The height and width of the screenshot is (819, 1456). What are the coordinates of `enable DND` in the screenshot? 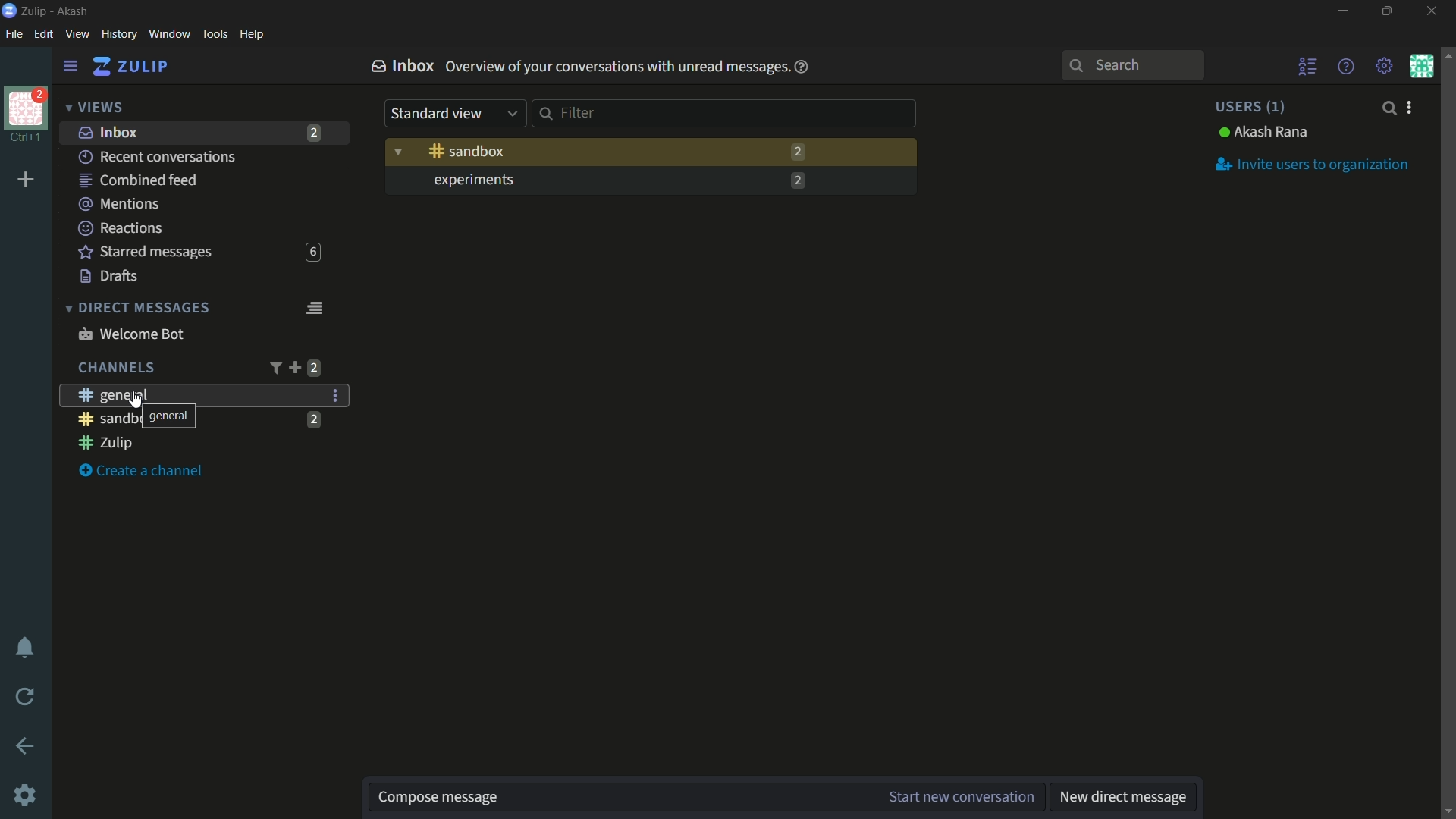 It's located at (25, 648).